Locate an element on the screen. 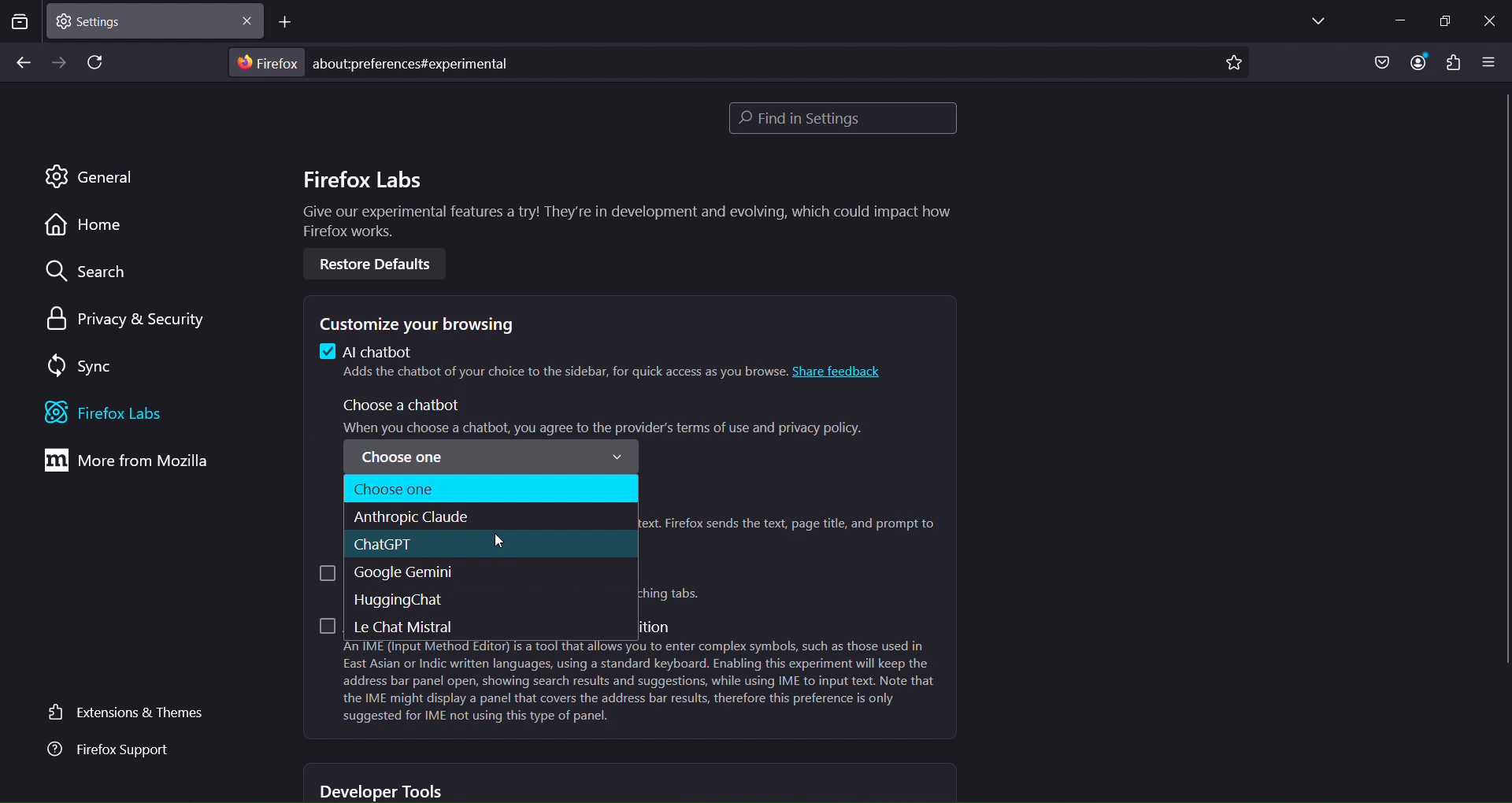 The height and width of the screenshot is (803, 1512). choose one is located at coordinates (491, 489).